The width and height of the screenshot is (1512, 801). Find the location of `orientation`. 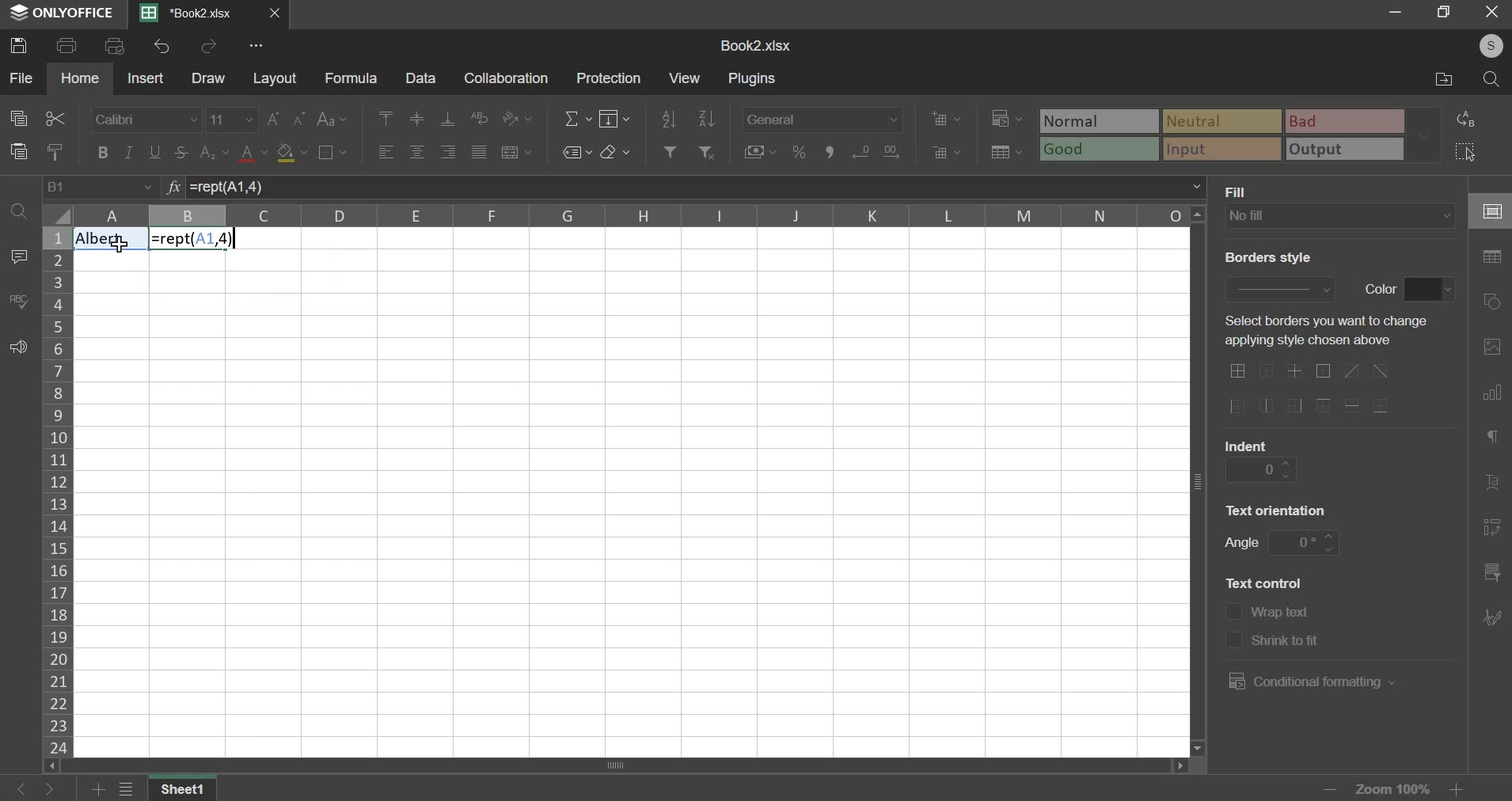

orientation is located at coordinates (515, 117).